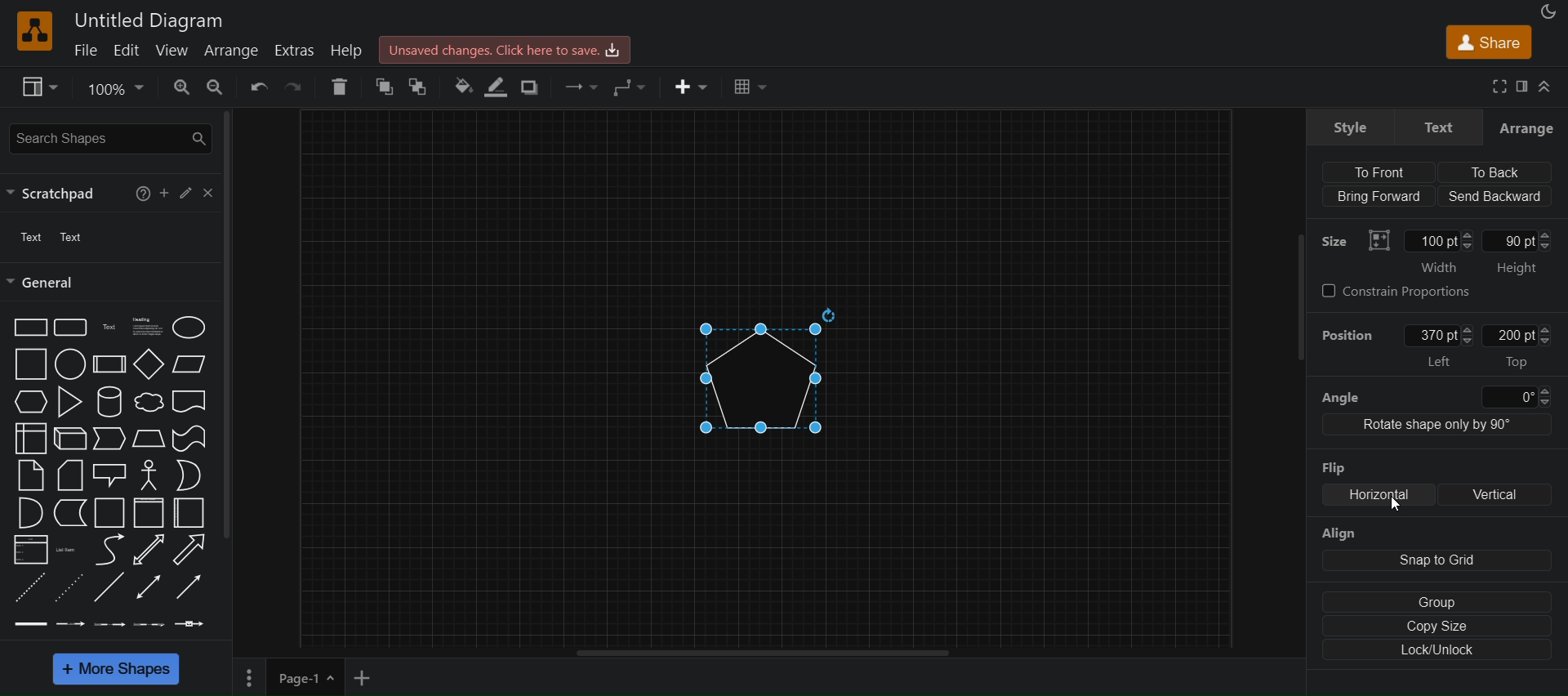 The width and height of the screenshot is (1568, 696). What do you see at coordinates (1334, 241) in the screenshot?
I see `Size` at bounding box center [1334, 241].